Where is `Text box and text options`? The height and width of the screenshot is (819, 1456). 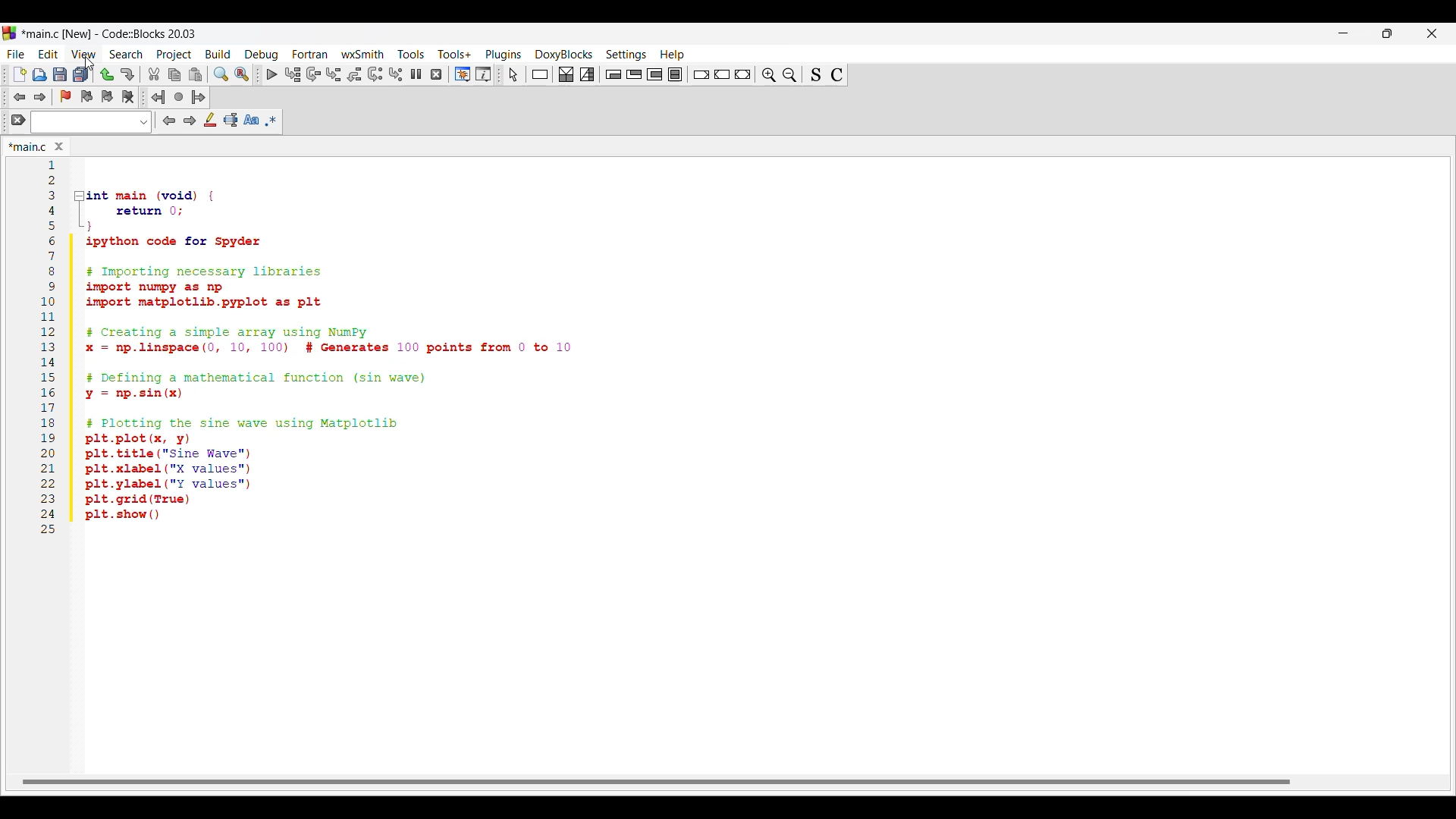
Text box and text options is located at coordinates (91, 122).